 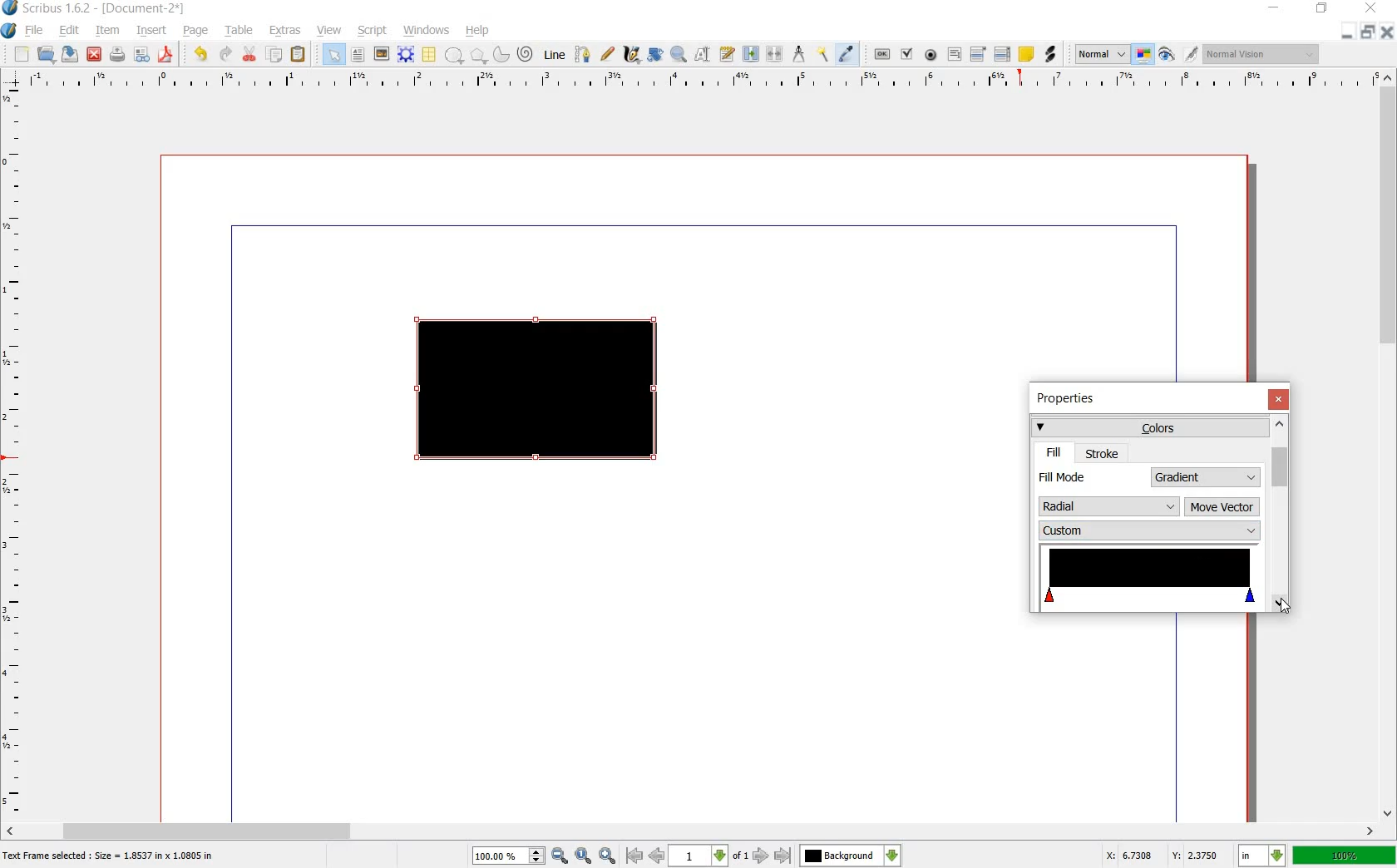 What do you see at coordinates (117, 55) in the screenshot?
I see `print` at bounding box center [117, 55].